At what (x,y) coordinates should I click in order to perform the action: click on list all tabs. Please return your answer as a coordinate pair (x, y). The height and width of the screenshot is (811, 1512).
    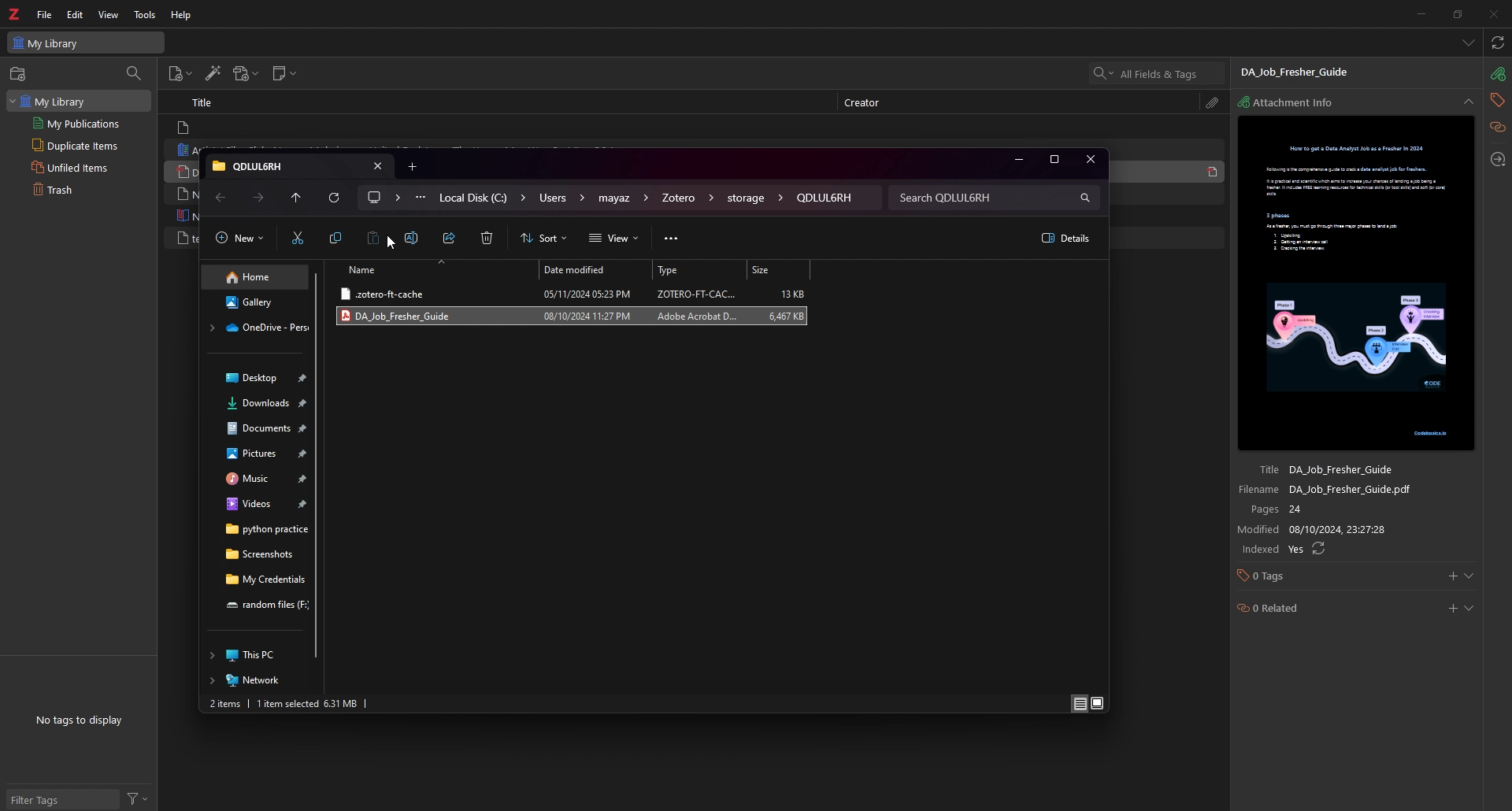
    Looking at the image, I should click on (1466, 43).